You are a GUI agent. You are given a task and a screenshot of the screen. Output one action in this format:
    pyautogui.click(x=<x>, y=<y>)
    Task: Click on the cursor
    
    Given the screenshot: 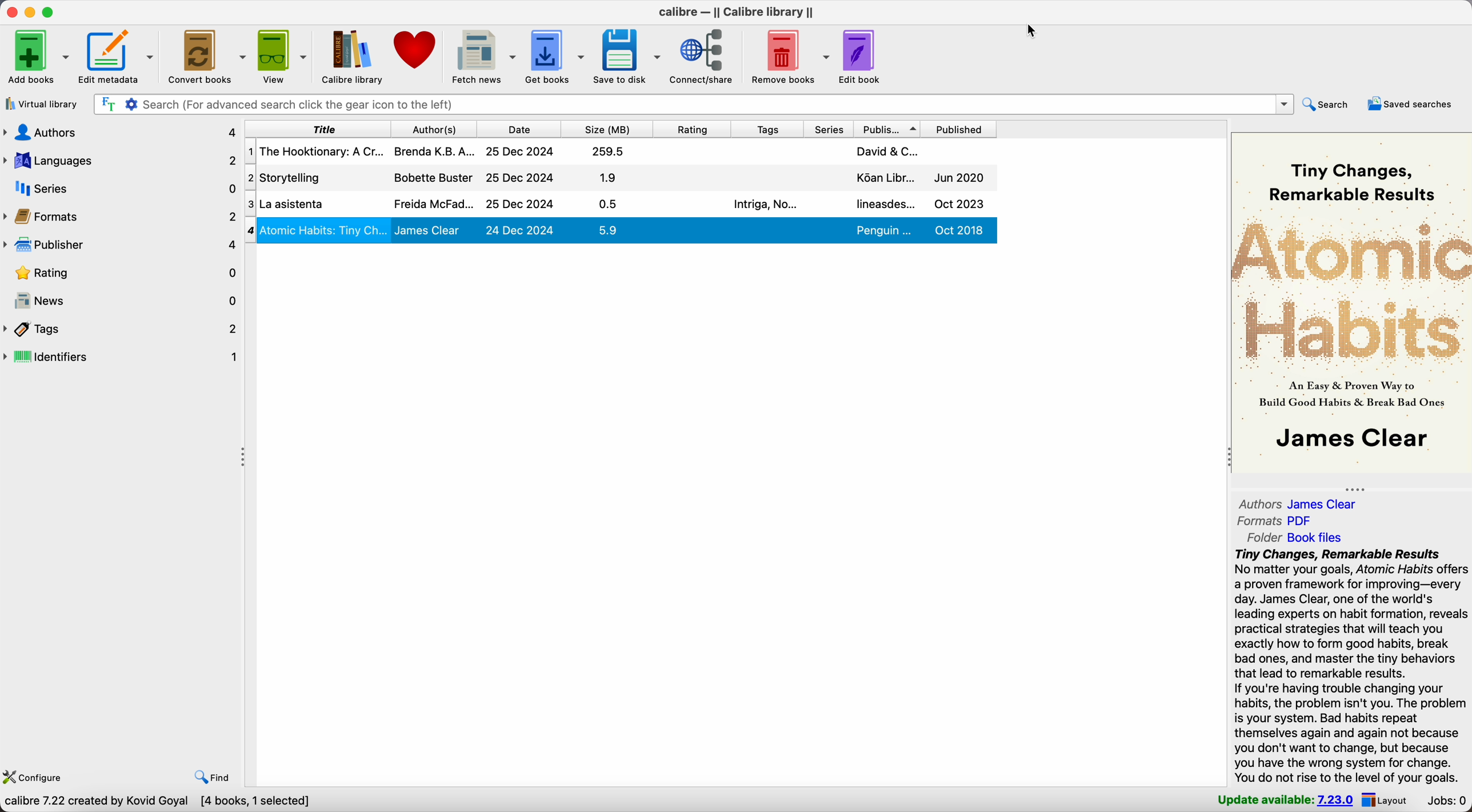 What is the action you would take?
    pyautogui.click(x=1031, y=30)
    